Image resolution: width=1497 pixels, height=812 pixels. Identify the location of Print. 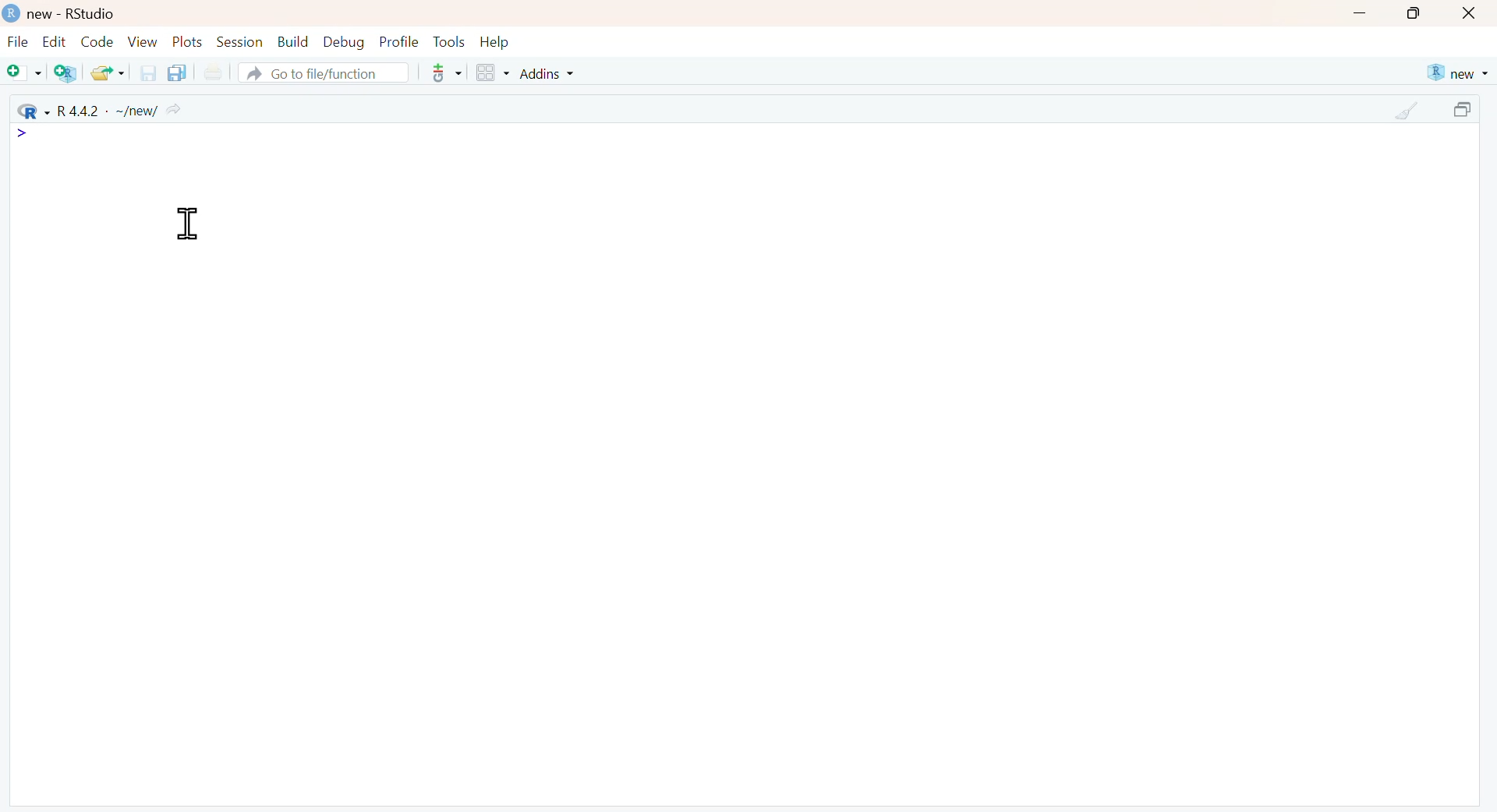
(217, 72).